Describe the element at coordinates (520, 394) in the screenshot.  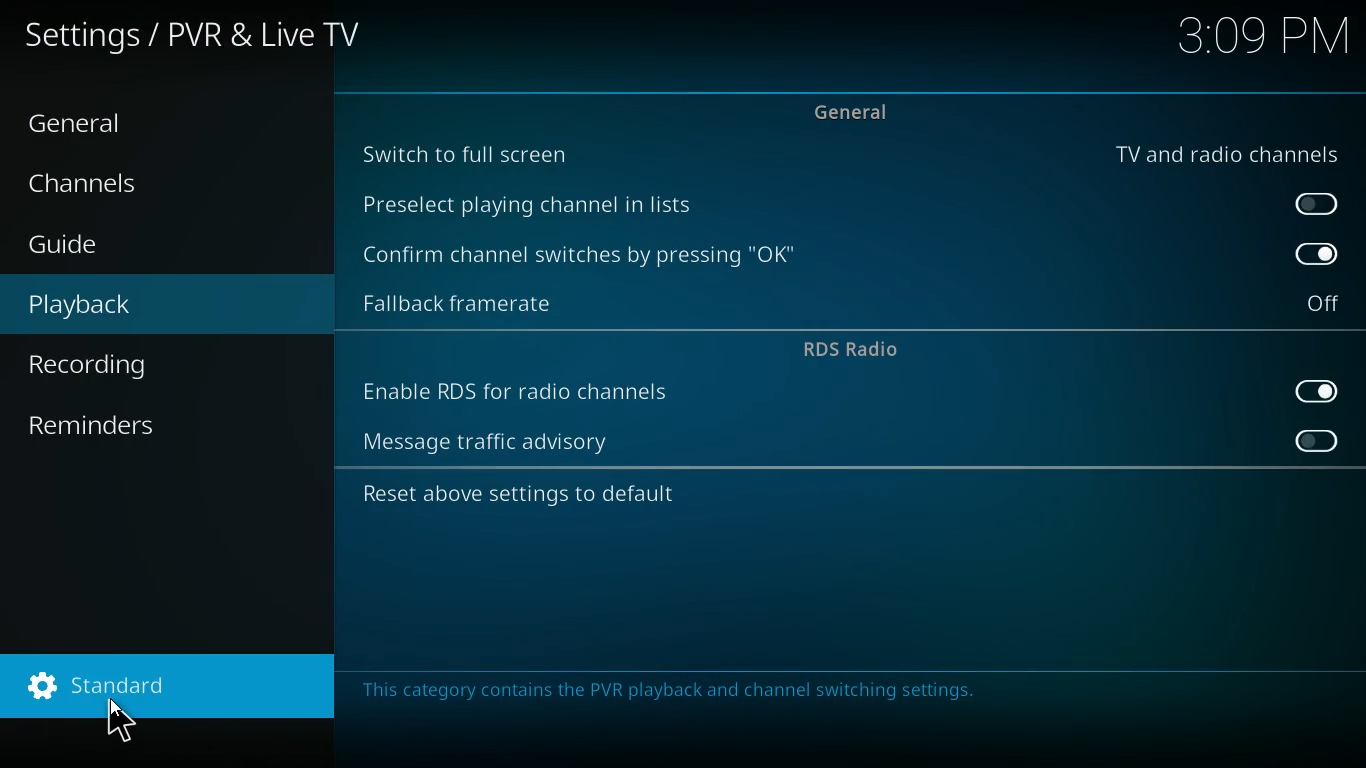
I see `enable rds for radio ` at that location.